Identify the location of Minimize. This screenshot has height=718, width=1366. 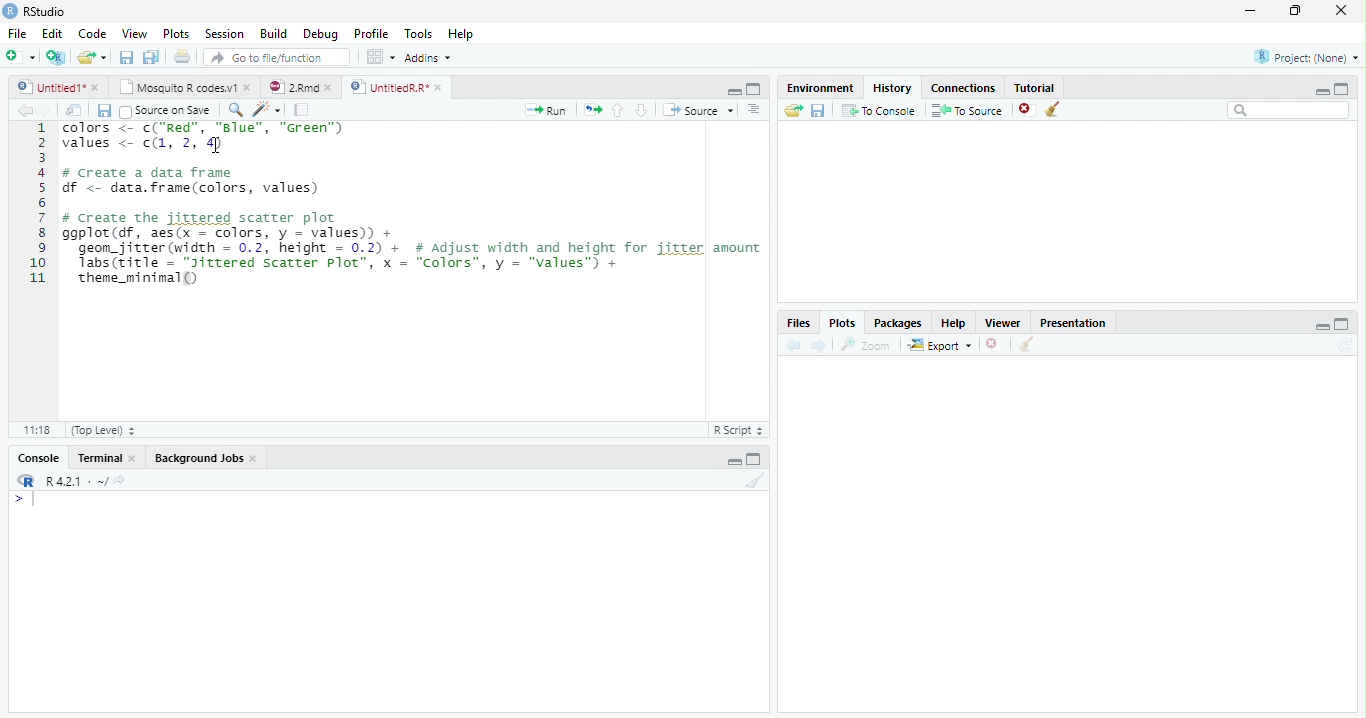
(733, 91).